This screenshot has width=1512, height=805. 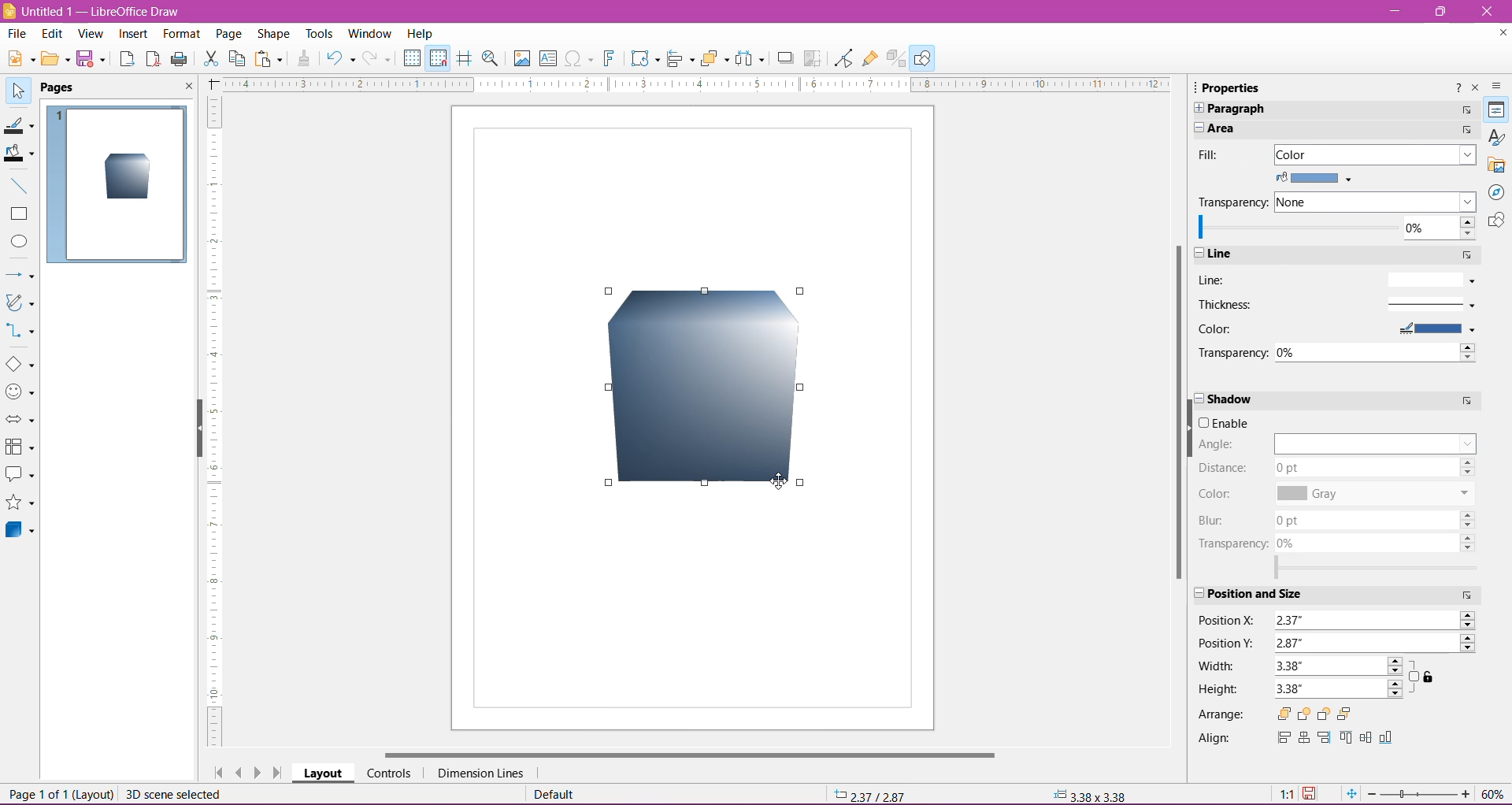 I want to click on Curves and Polygons, so click(x=20, y=304).